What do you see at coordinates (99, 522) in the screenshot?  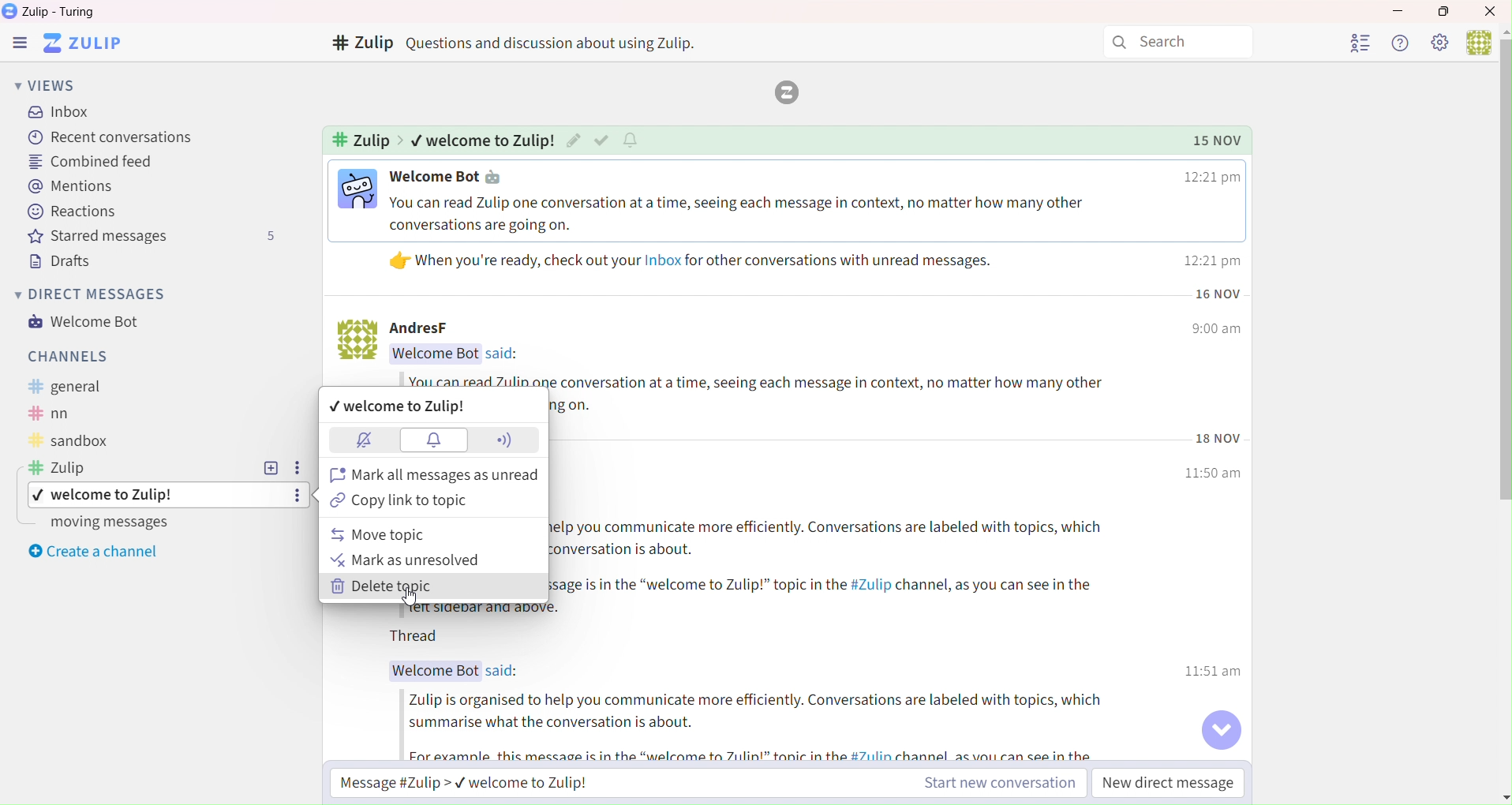 I see `Moving messages` at bounding box center [99, 522].